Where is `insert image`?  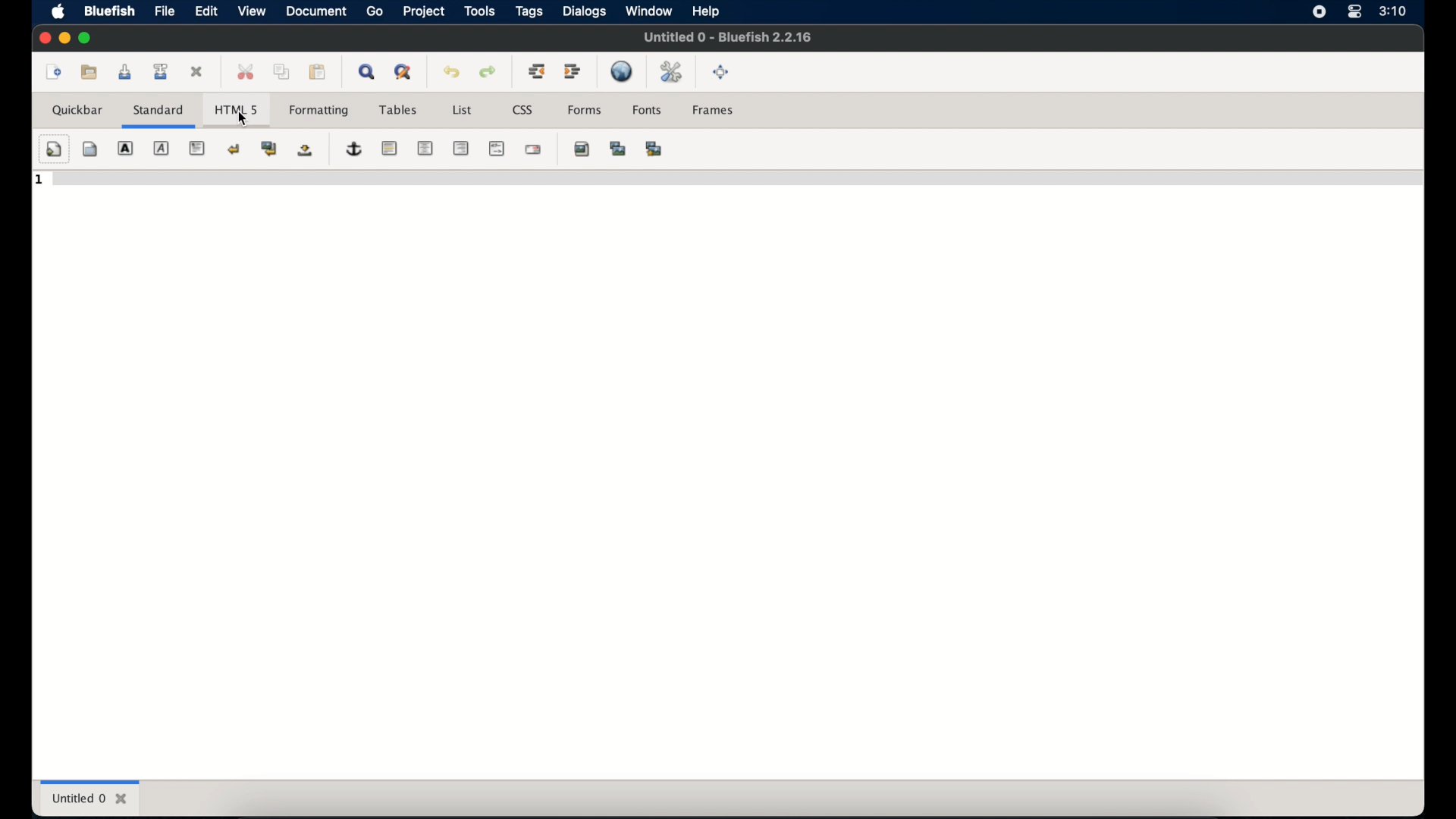 insert image is located at coordinates (582, 149).